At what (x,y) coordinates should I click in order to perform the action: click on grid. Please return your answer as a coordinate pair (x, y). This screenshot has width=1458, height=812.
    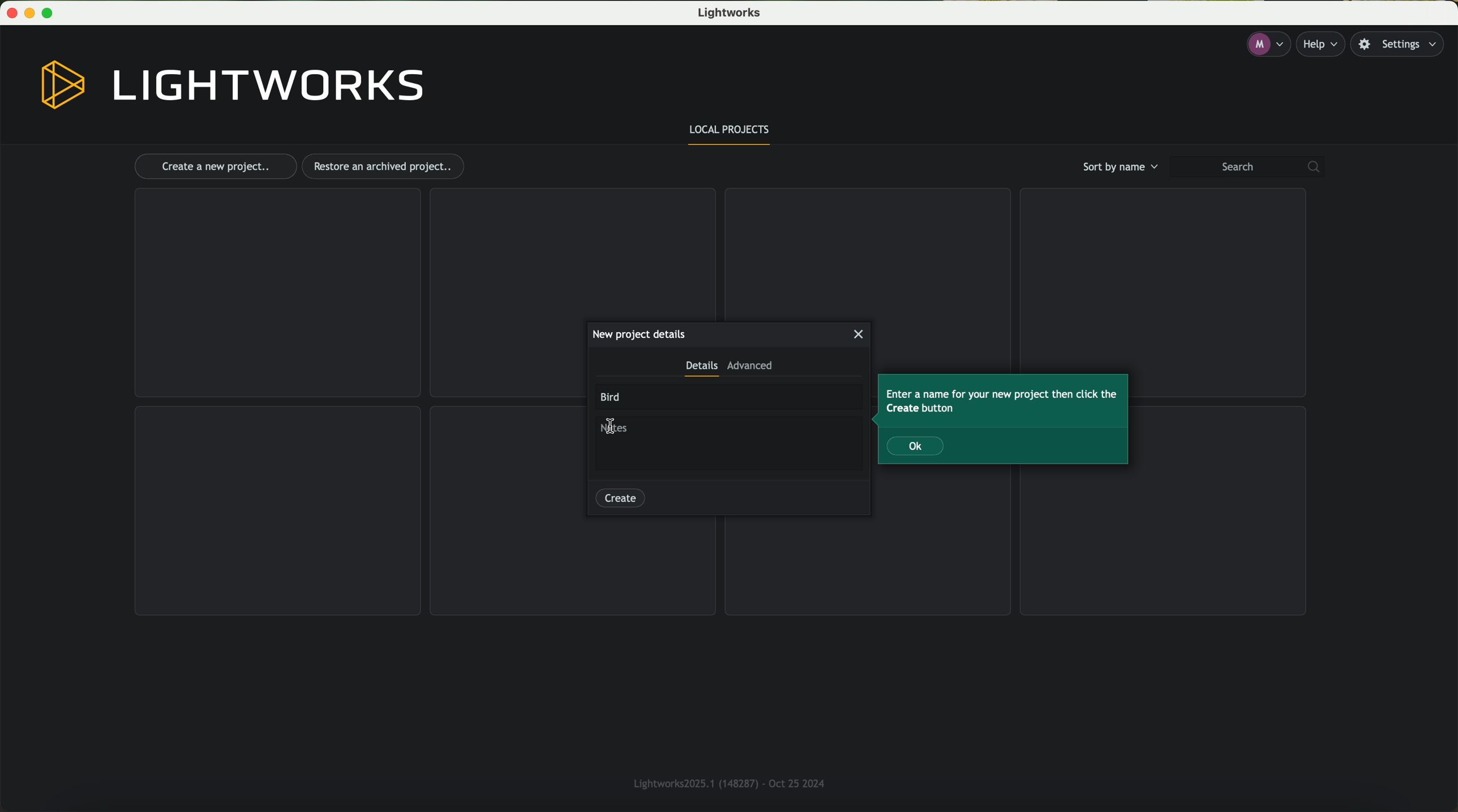
    Looking at the image, I should click on (276, 293).